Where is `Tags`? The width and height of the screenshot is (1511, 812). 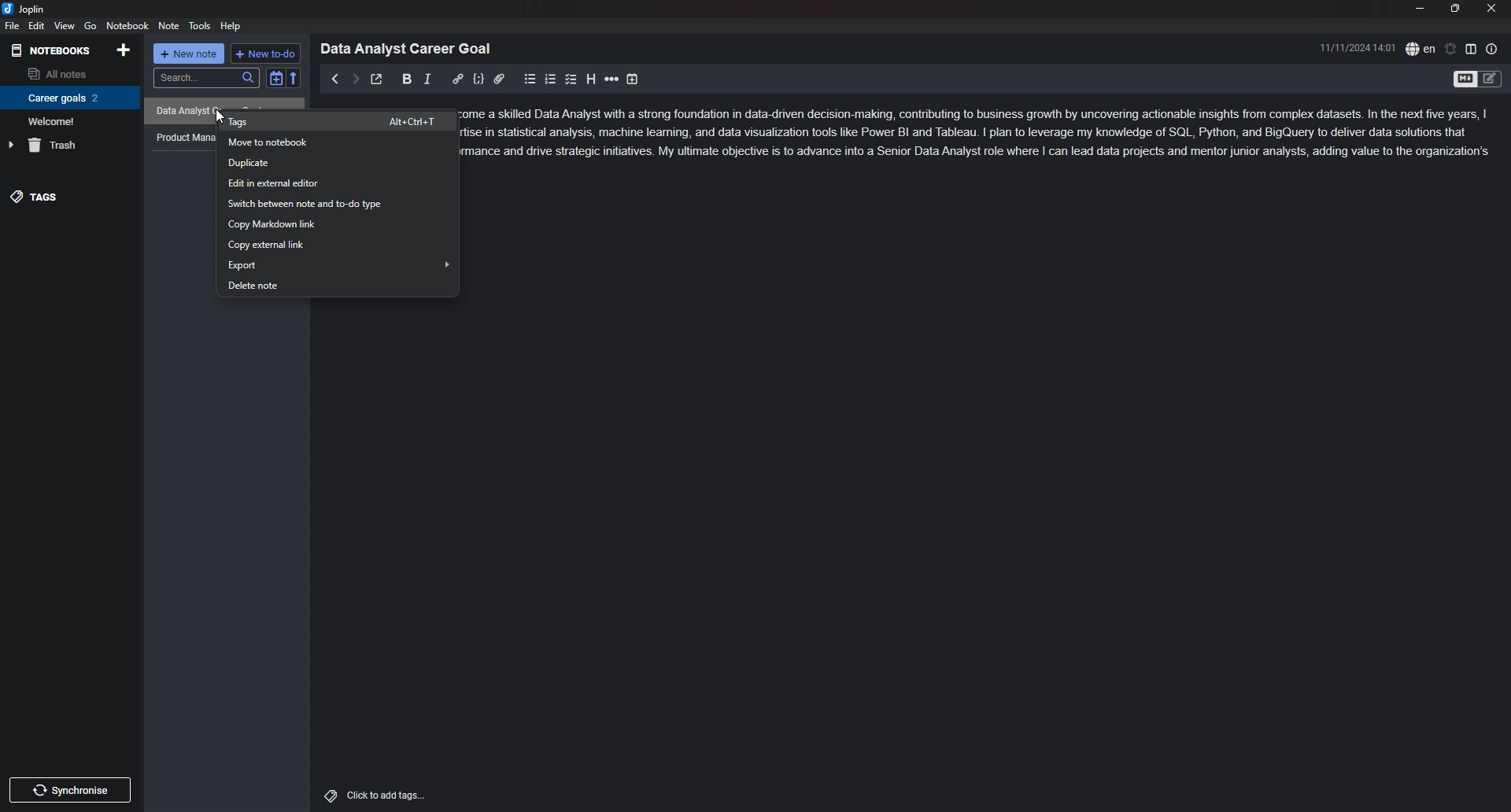 Tags is located at coordinates (327, 794).